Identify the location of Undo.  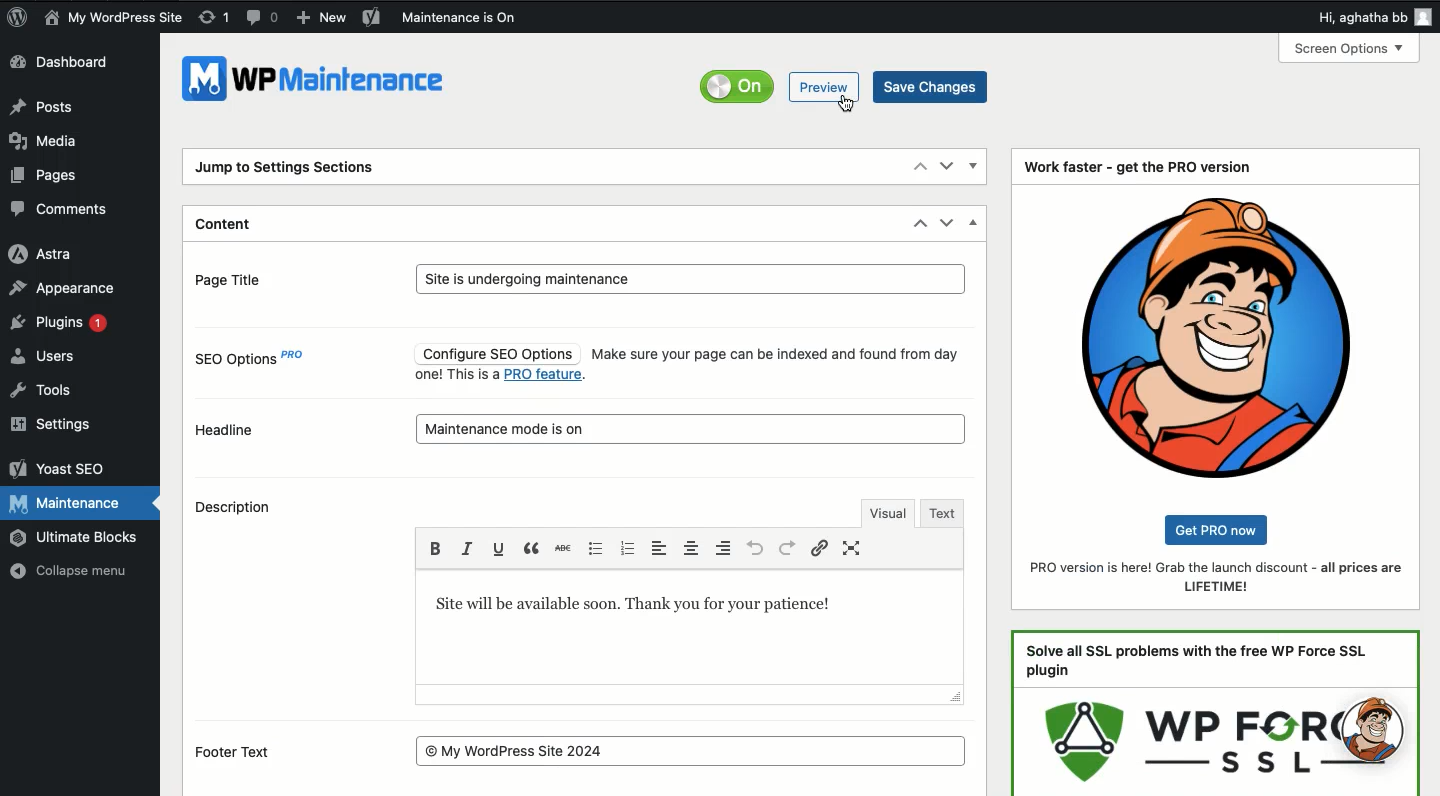
(755, 548).